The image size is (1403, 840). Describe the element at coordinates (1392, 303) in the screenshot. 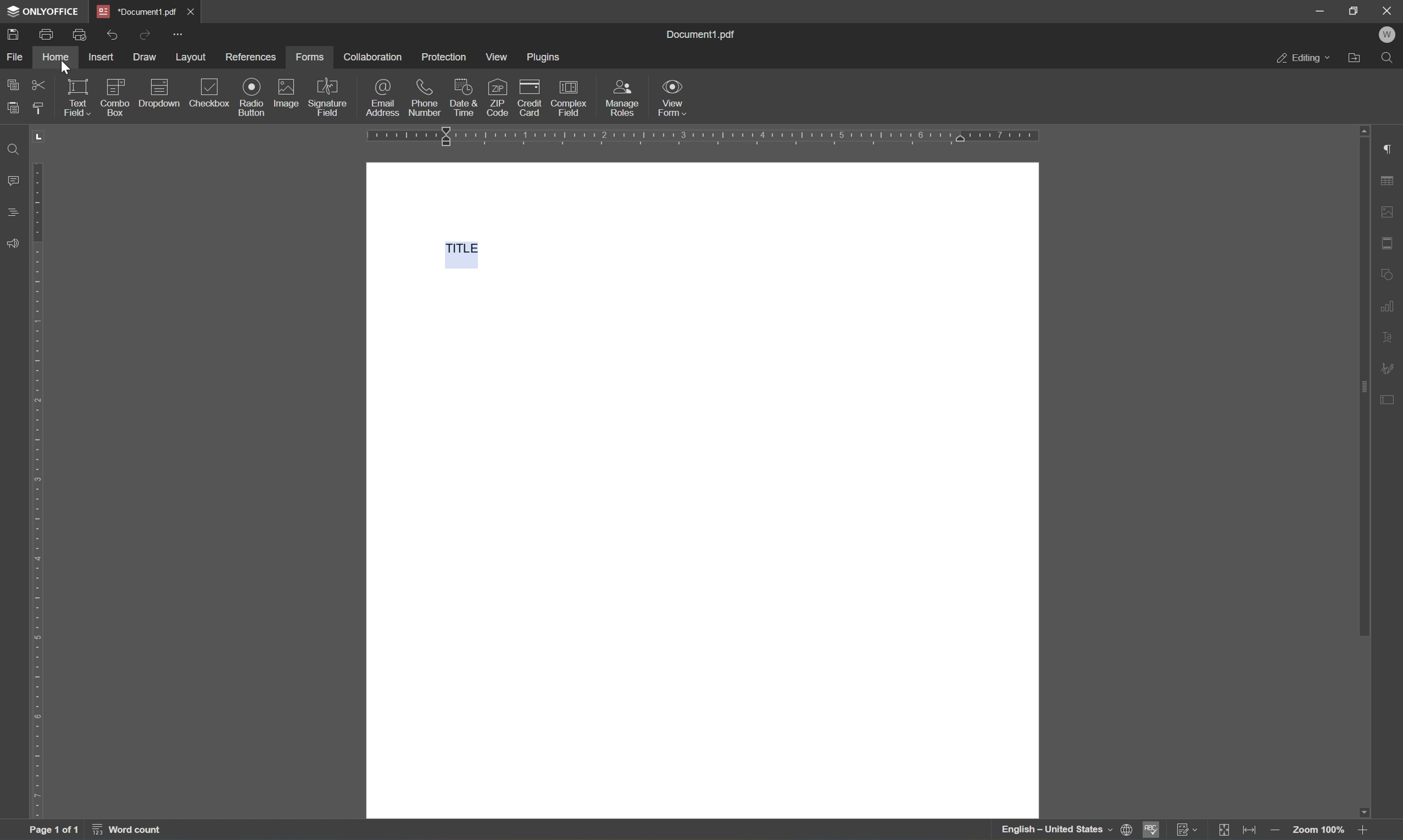

I see `chart settings` at that location.